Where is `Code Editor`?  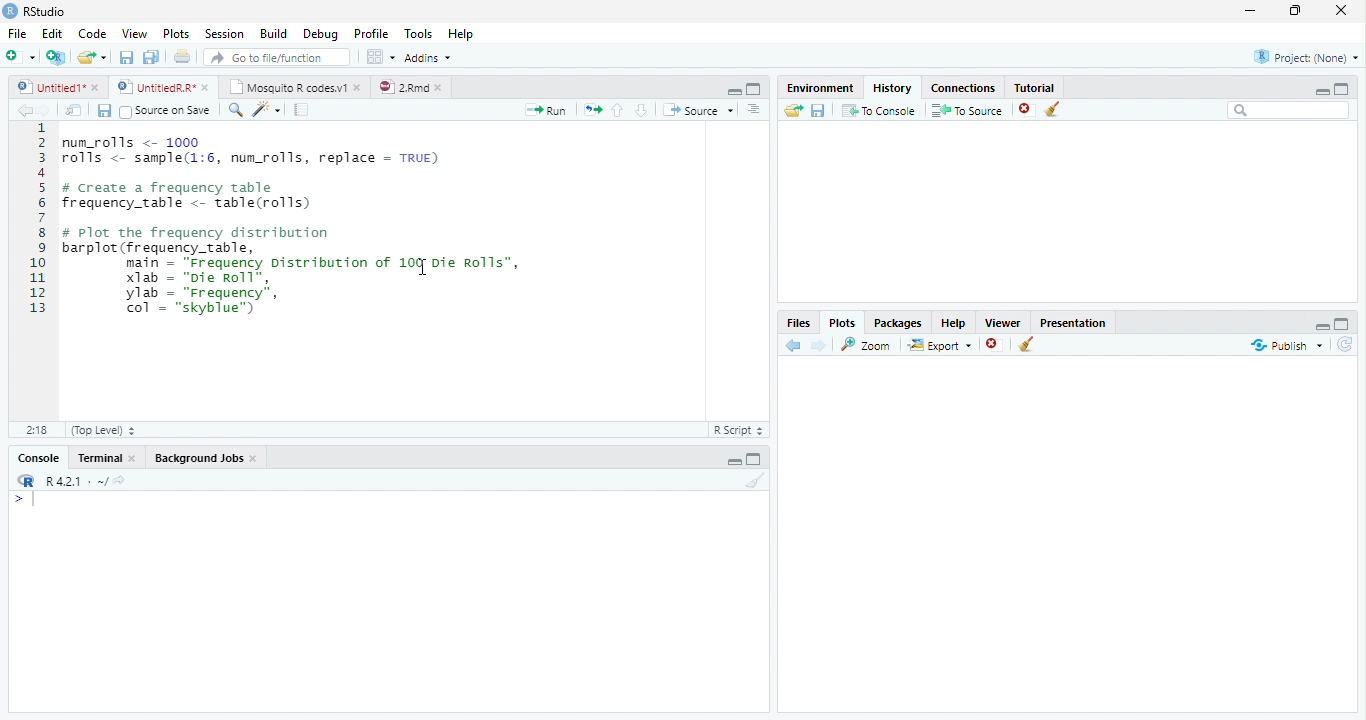 Code Editor is located at coordinates (362, 271).